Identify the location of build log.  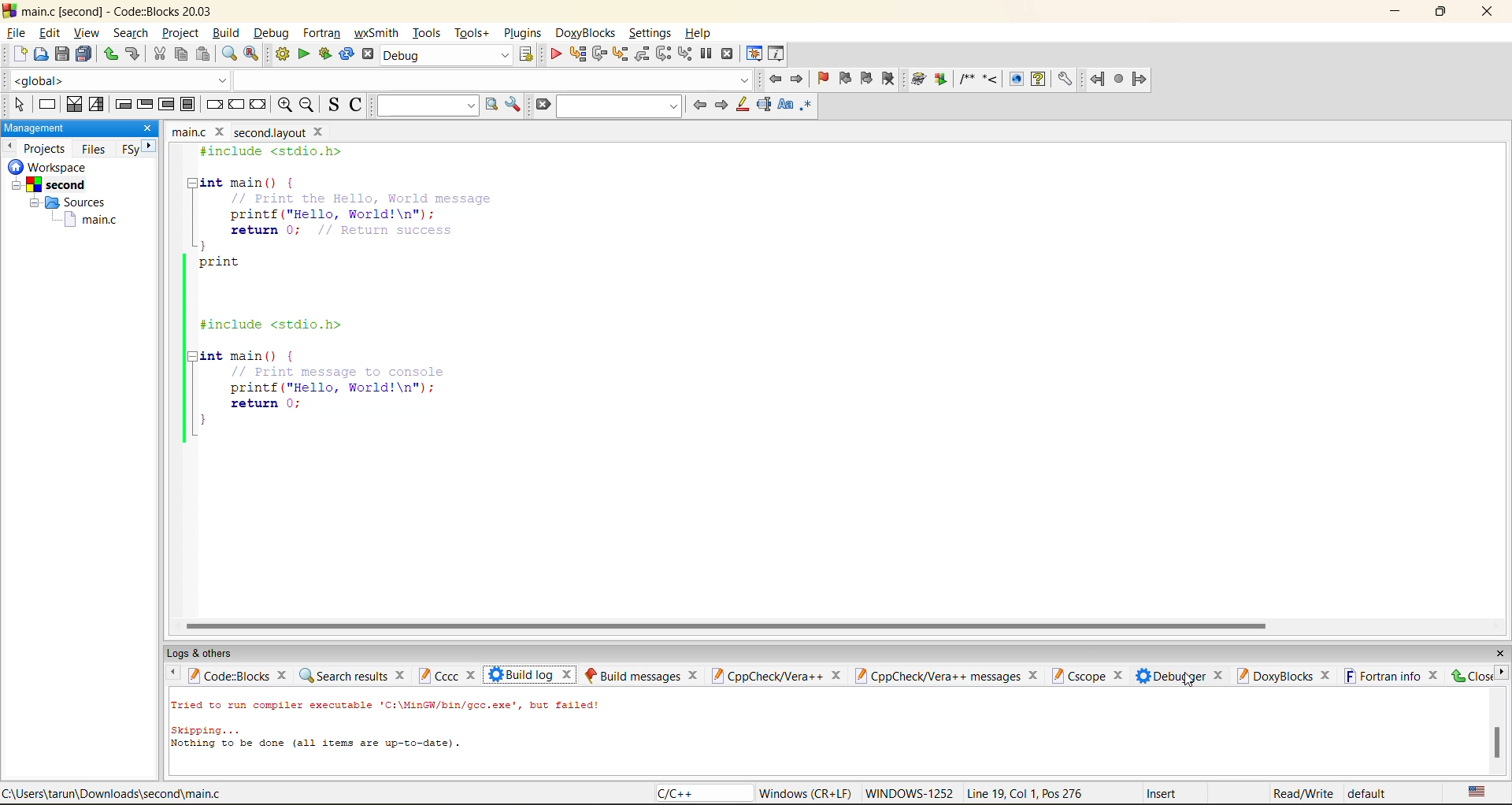
(534, 675).